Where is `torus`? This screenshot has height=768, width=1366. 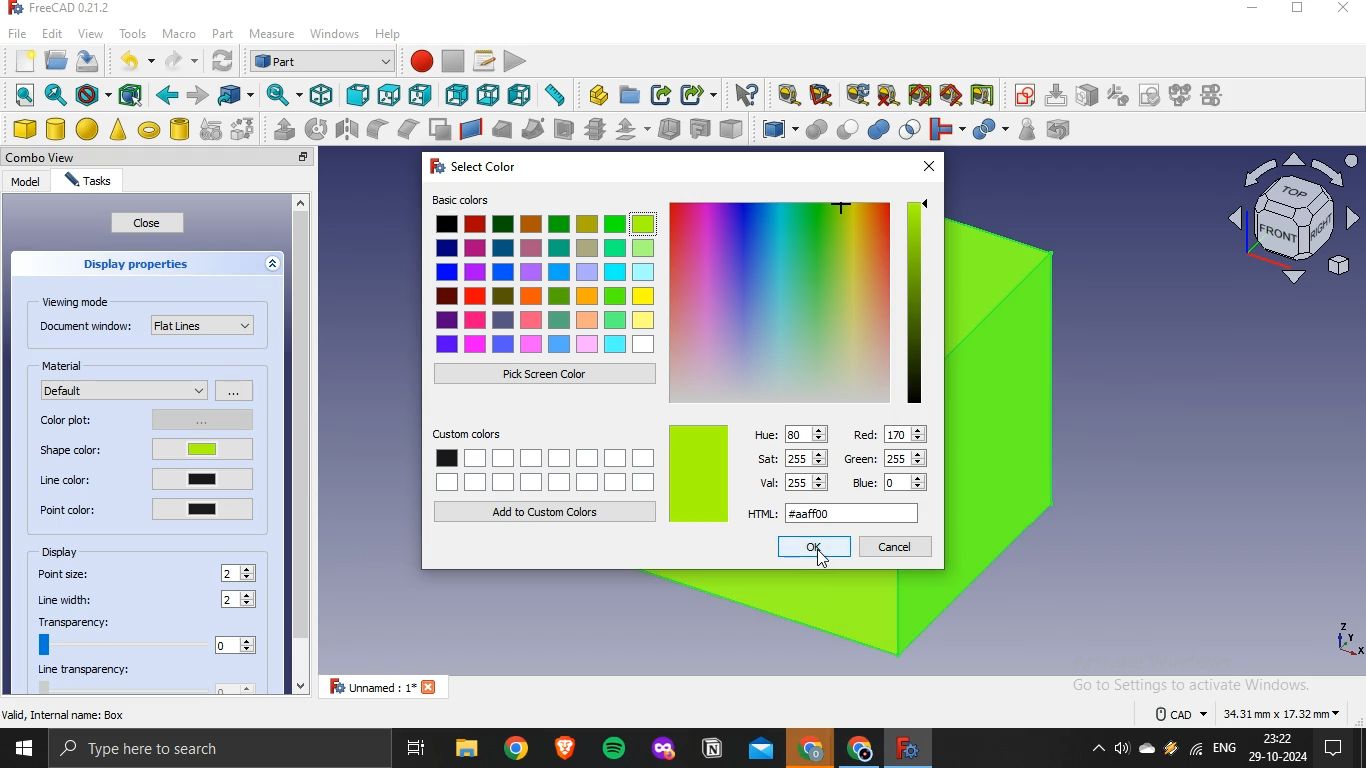 torus is located at coordinates (149, 130).